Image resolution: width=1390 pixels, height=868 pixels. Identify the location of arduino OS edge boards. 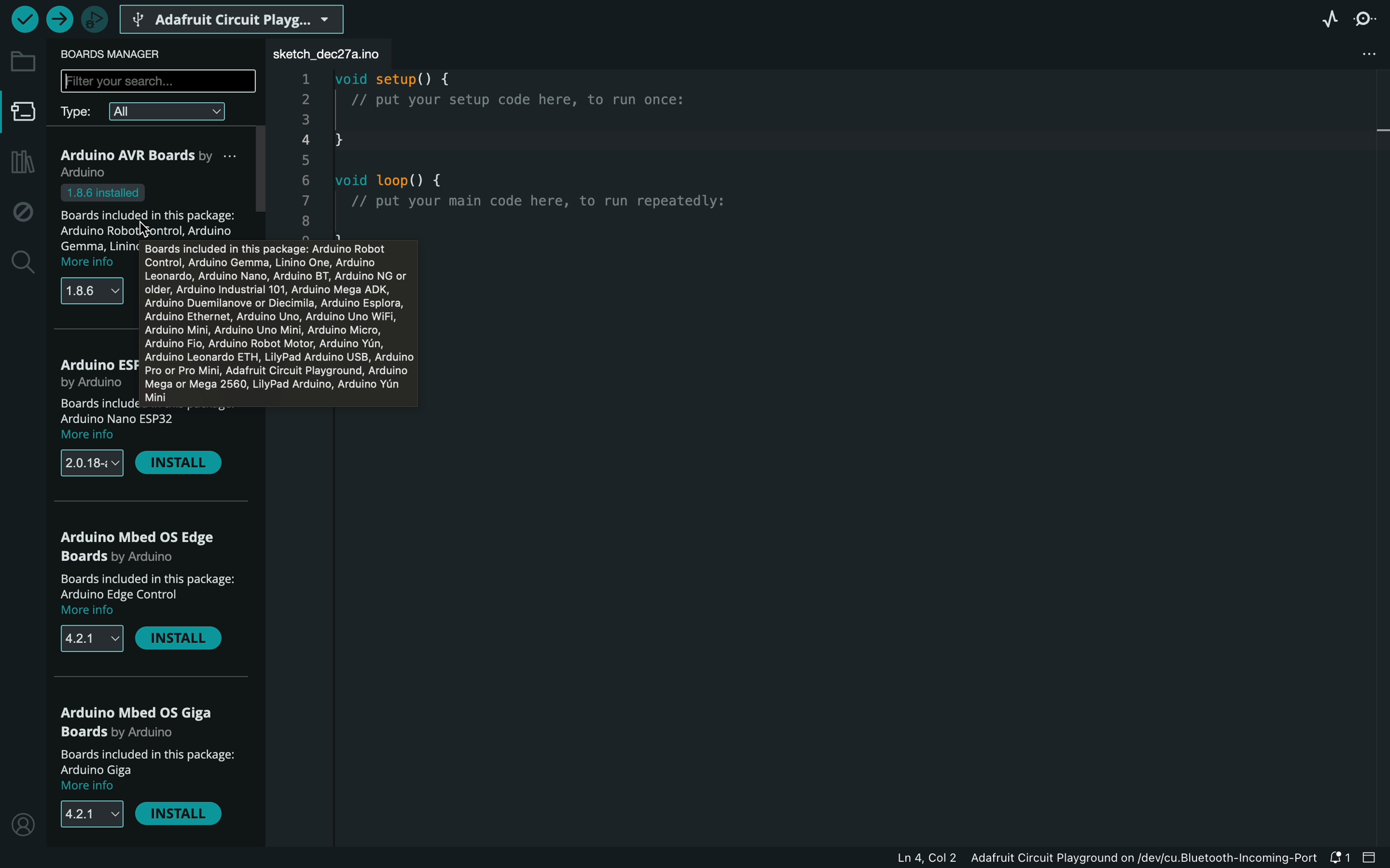
(144, 545).